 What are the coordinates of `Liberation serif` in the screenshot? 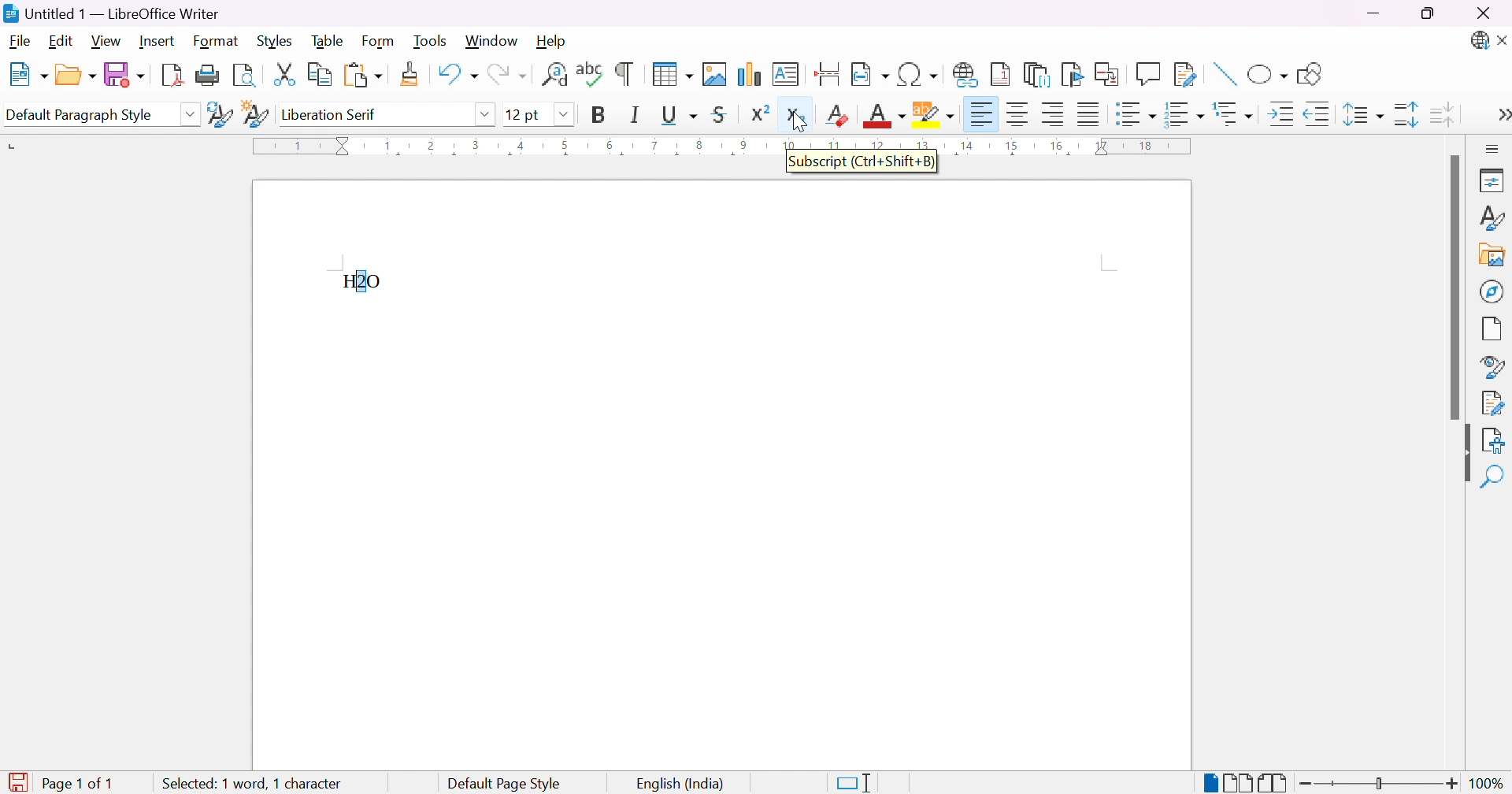 It's located at (332, 114).